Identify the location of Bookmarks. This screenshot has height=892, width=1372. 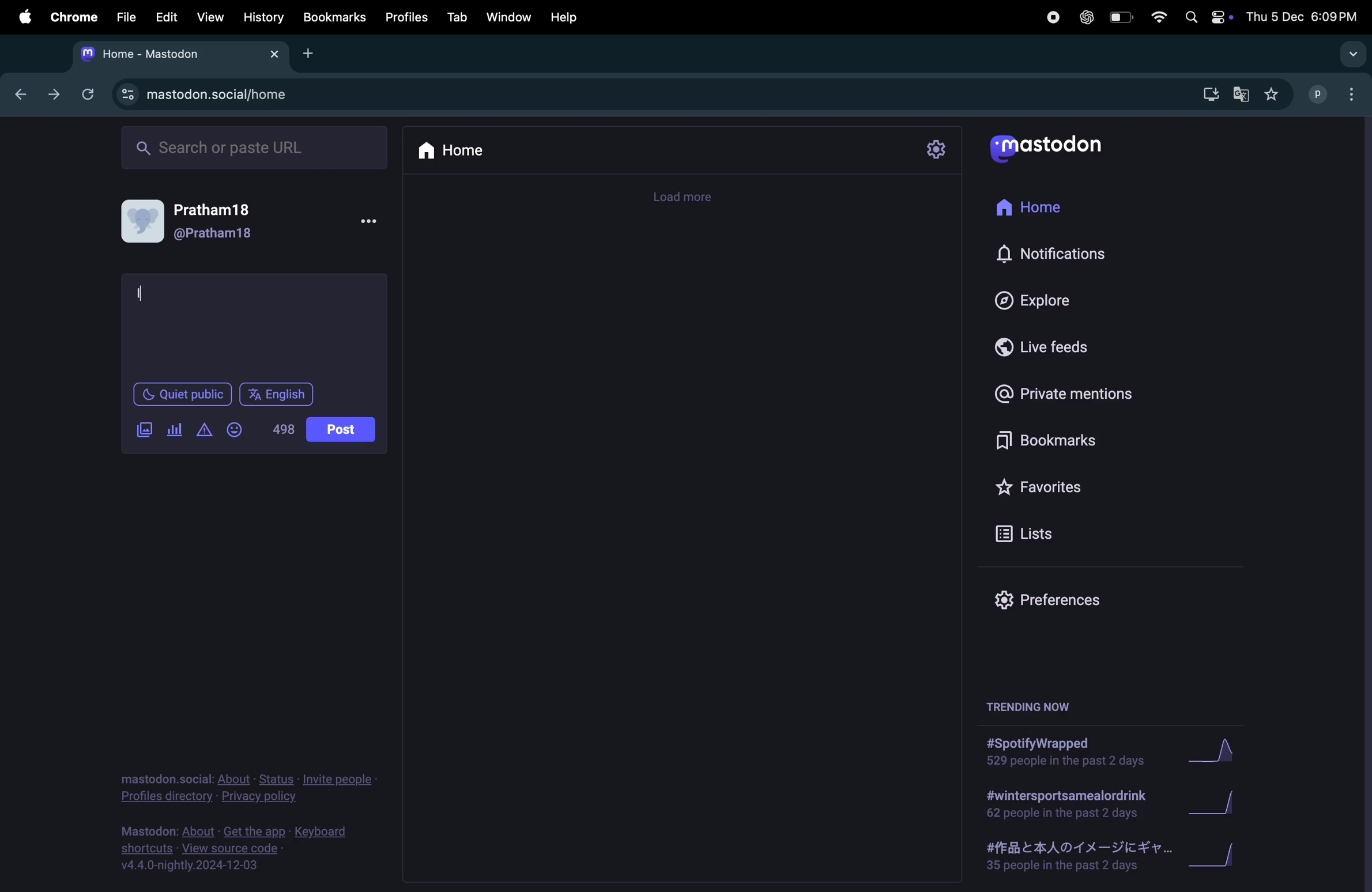
(1061, 440).